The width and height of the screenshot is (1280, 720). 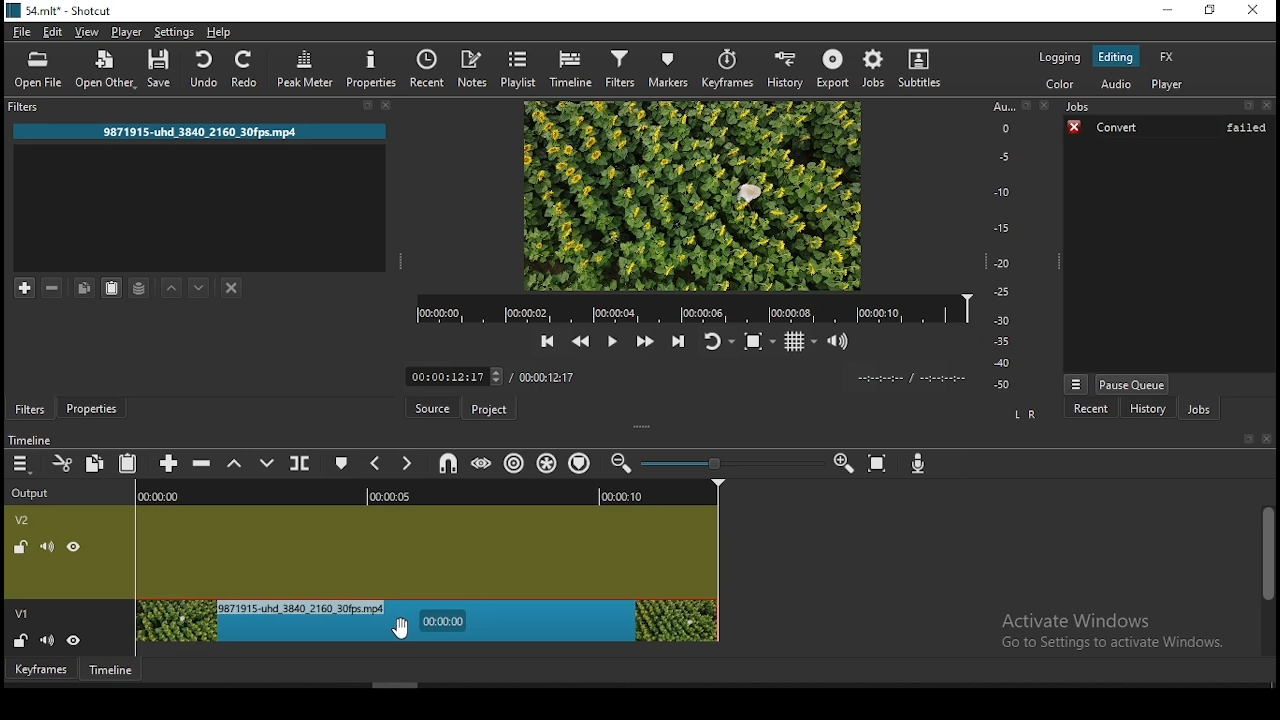 What do you see at coordinates (231, 288) in the screenshot?
I see `deselect filter` at bounding box center [231, 288].